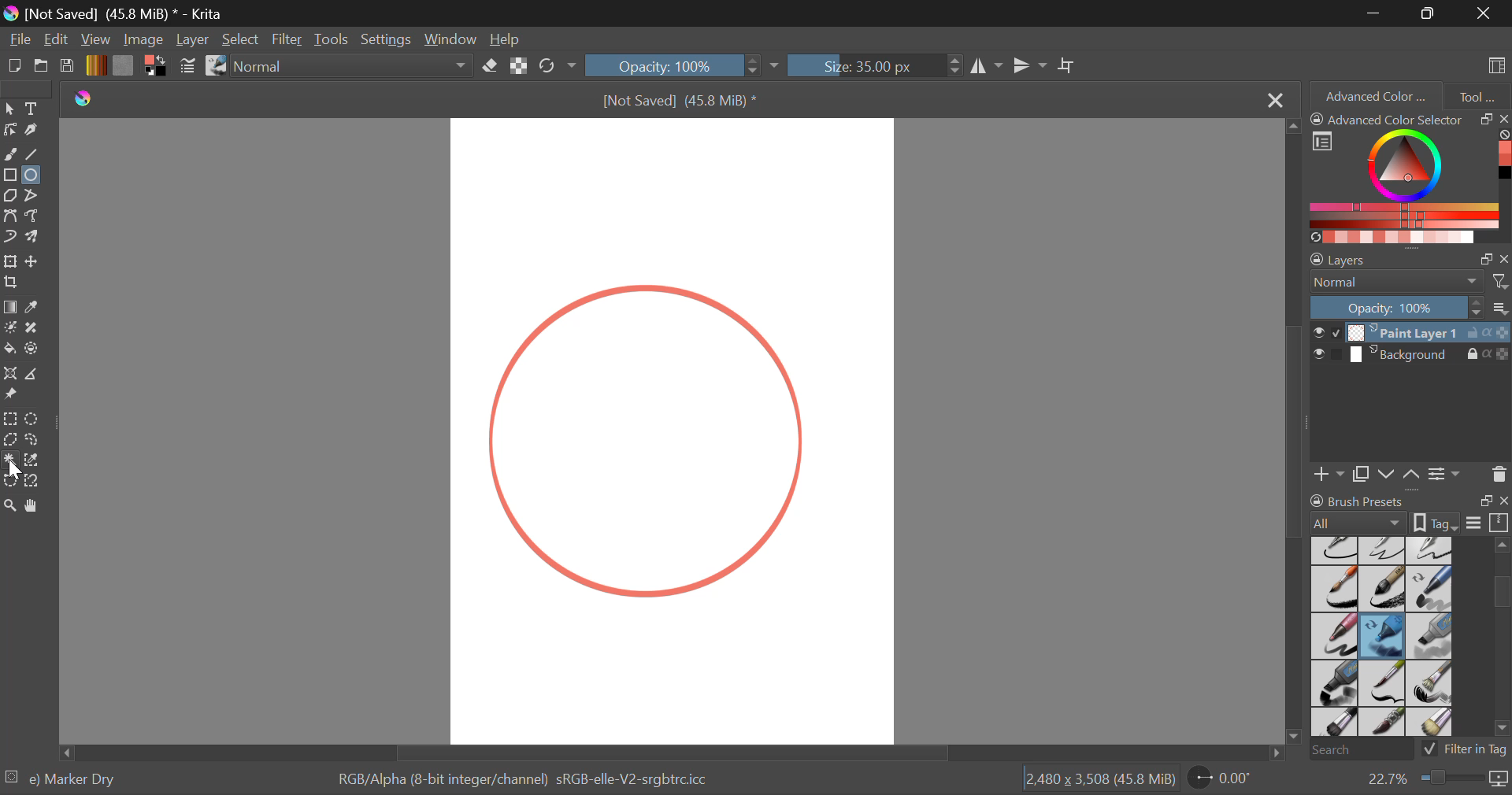  I want to click on Marker Dry, so click(1383, 636).